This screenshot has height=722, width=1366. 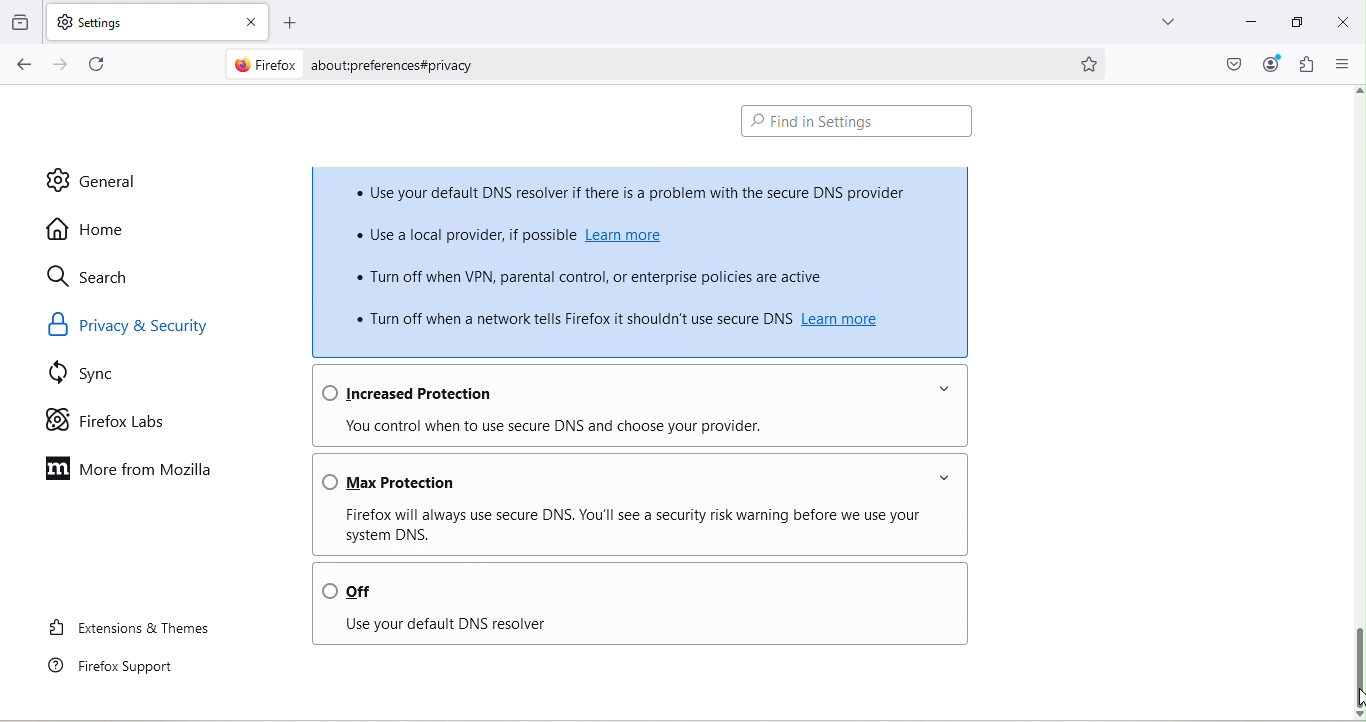 I want to click on Checkbox, so click(x=859, y=122).